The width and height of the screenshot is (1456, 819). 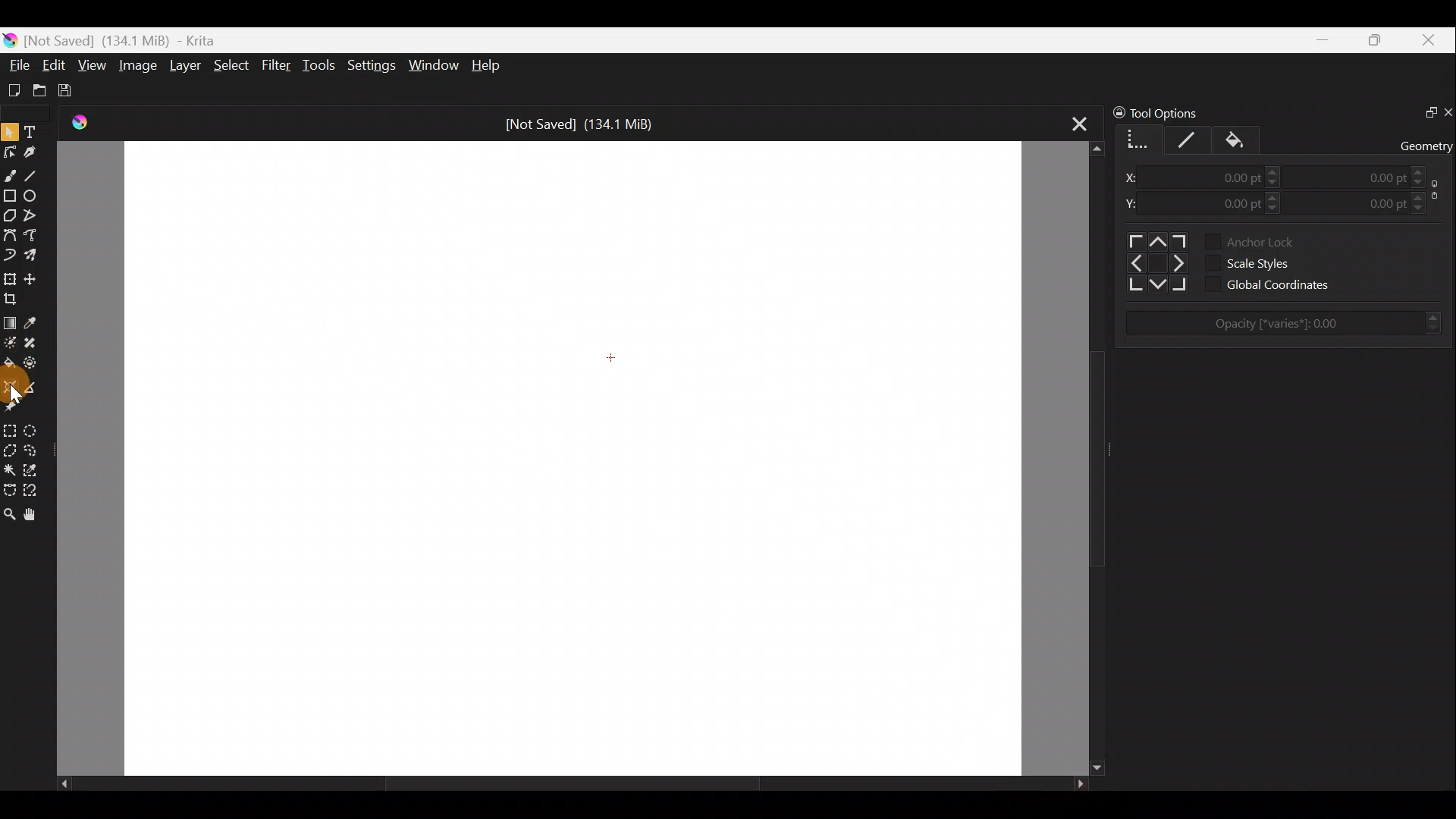 I want to click on Decrease, so click(x=1272, y=180).